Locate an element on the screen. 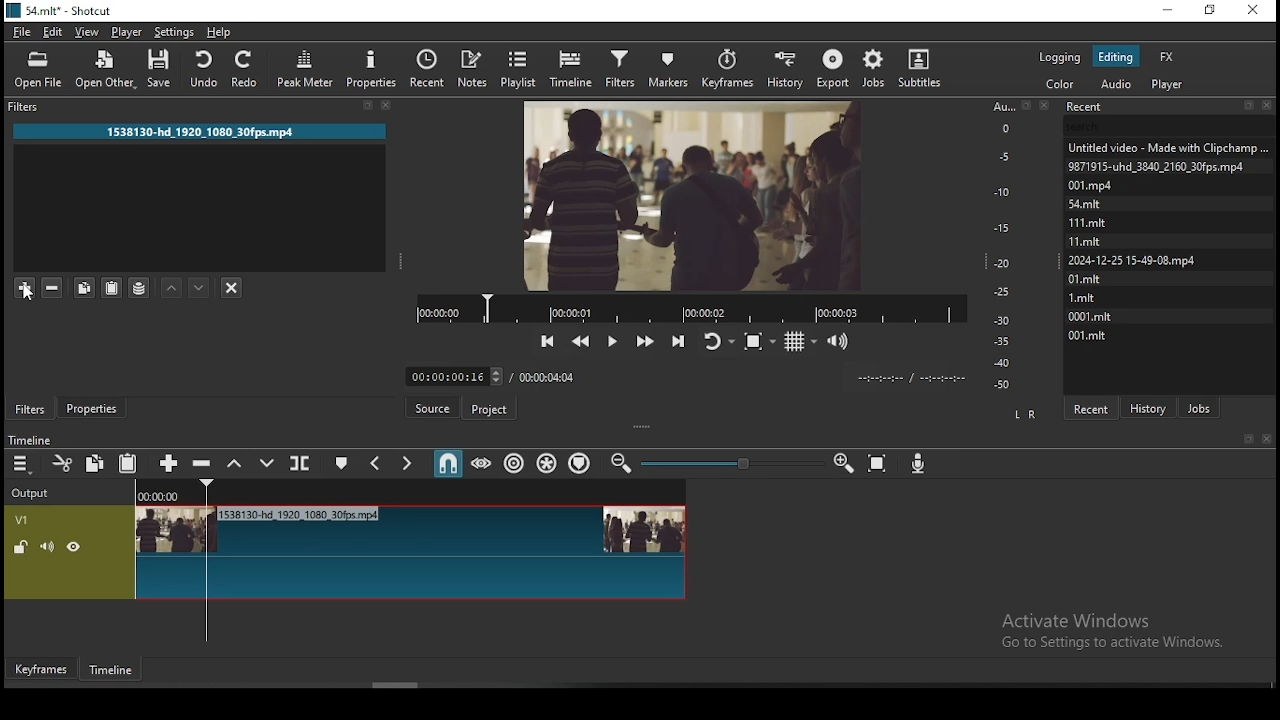 The width and height of the screenshot is (1280, 720). timeline is located at coordinates (574, 66).